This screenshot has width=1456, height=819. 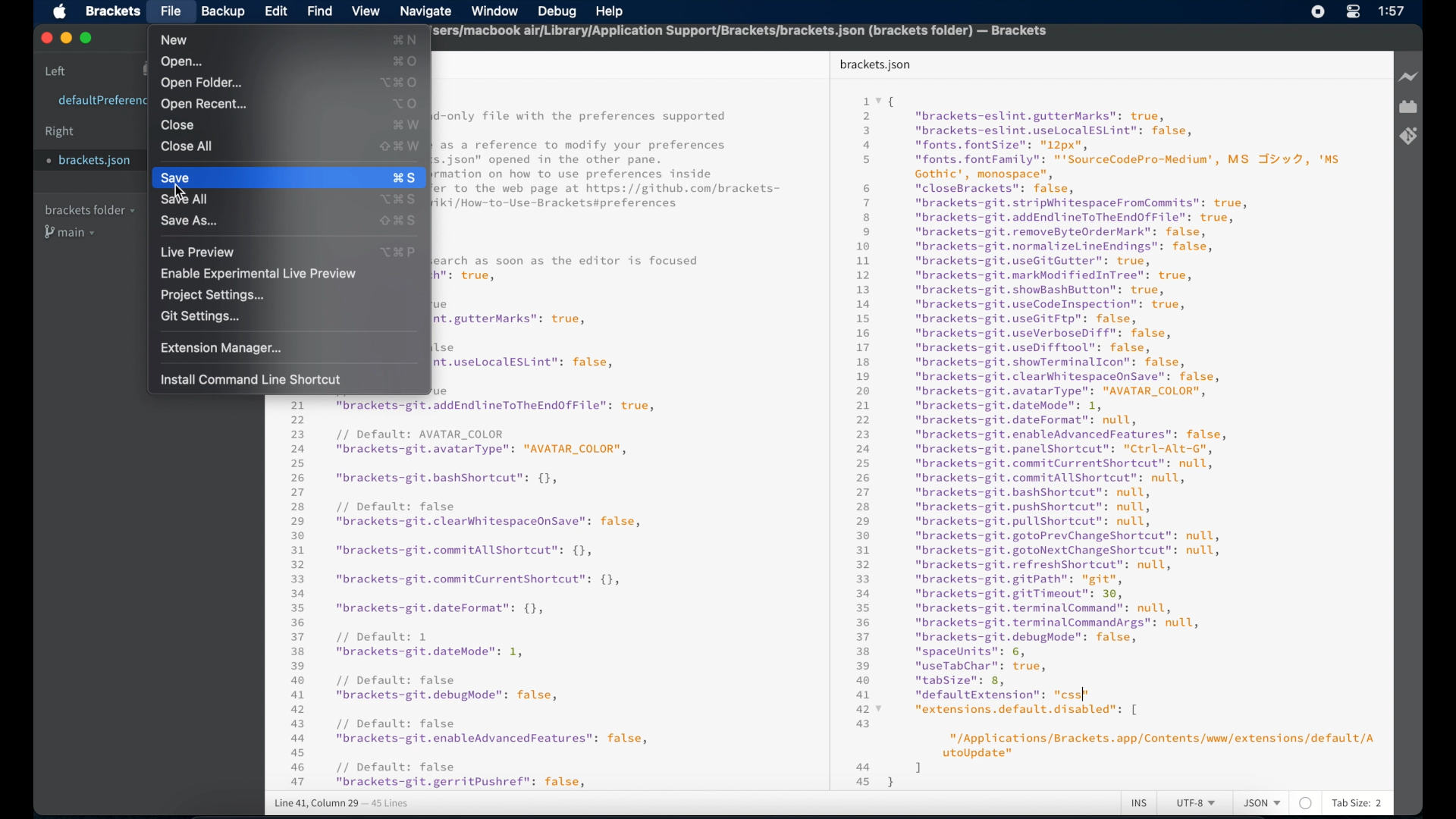 What do you see at coordinates (1393, 13) in the screenshot?
I see `1:57` at bounding box center [1393, 13].